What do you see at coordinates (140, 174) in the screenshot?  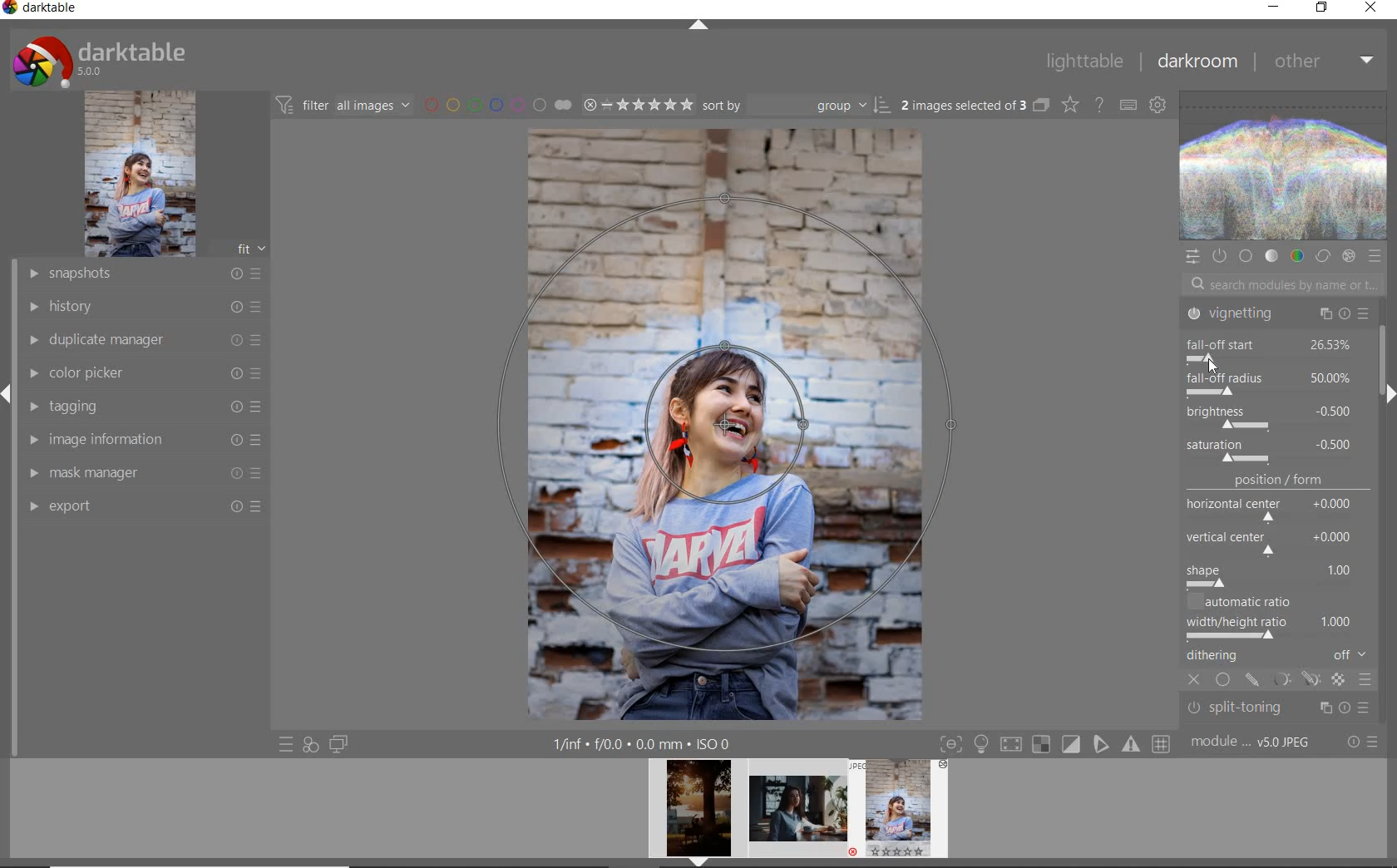 I see `image` at bounding box center [140, 174].